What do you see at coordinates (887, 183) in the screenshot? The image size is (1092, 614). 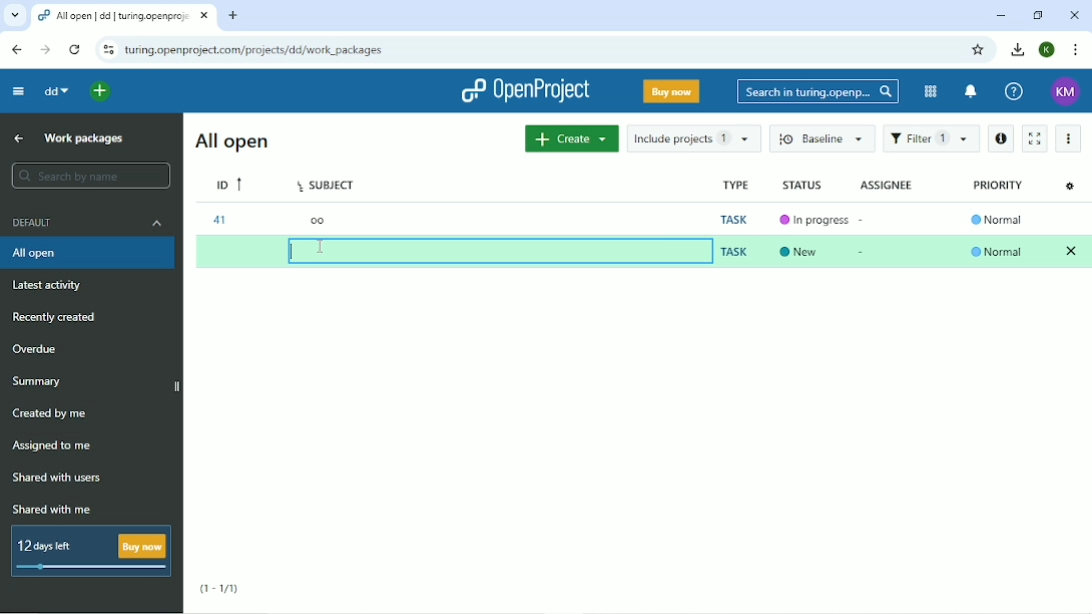 I see `Assignee` at bounding box center [887, 183].